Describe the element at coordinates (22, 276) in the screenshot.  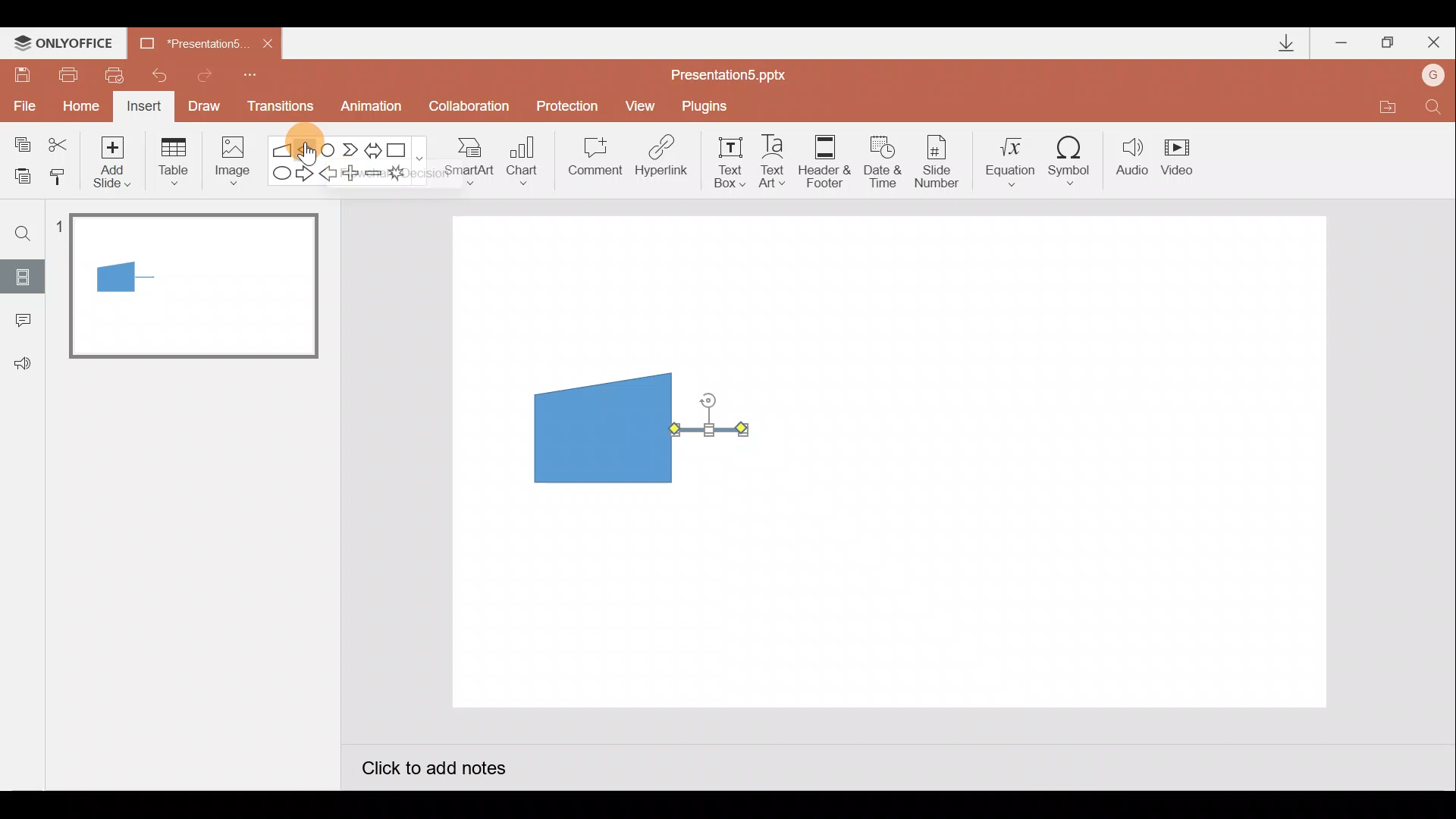
I see `Slides` at that location.